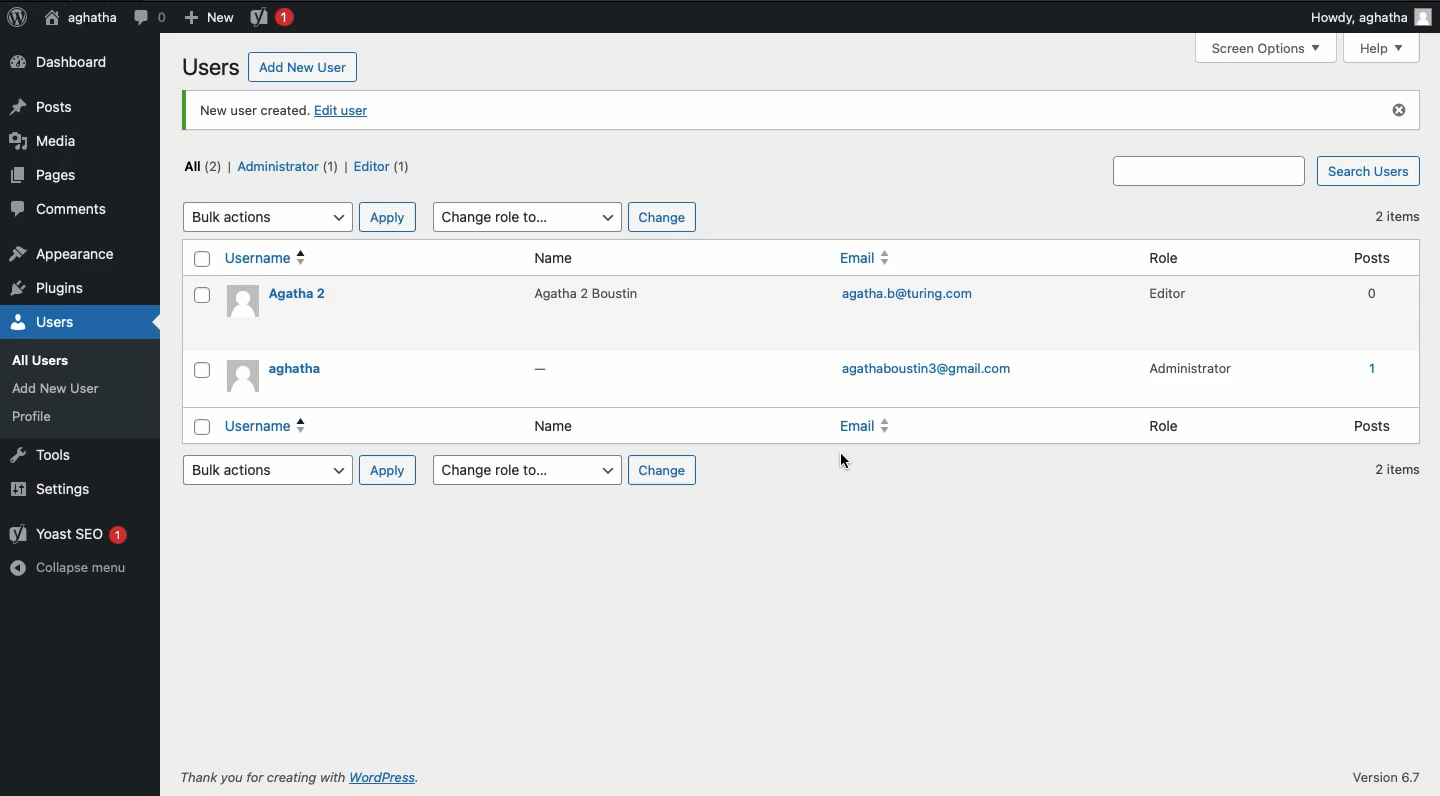  What do you see at coordinates (77, 17) in the screenshot?
I see `aghatha` at bounding box center [77, 17].